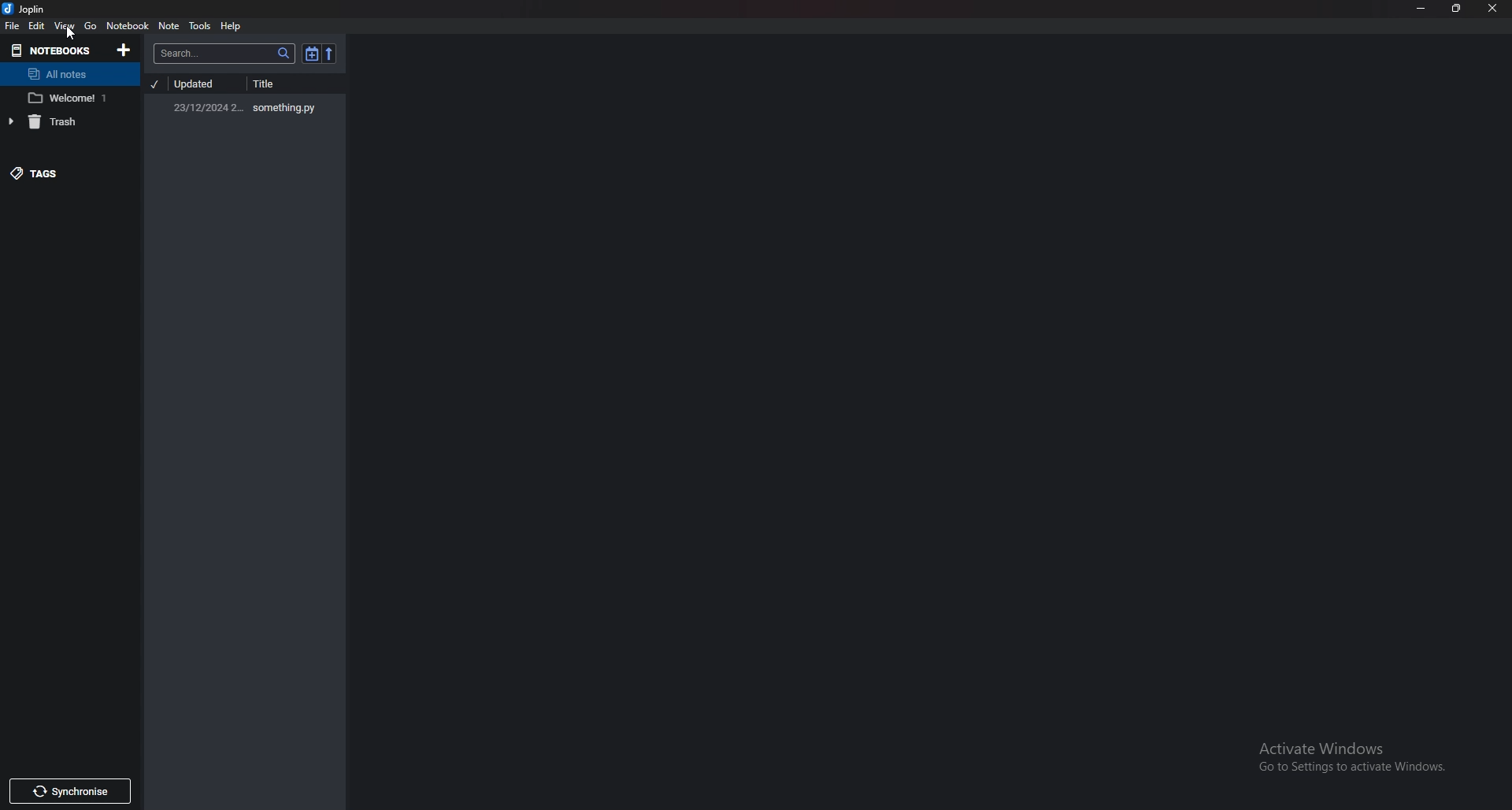 Image resolution: width=1512 pixels, height=810 pixels. Describe the element at coordinates (66, 98) in the screenshot. I see `welcome 1` at that location.